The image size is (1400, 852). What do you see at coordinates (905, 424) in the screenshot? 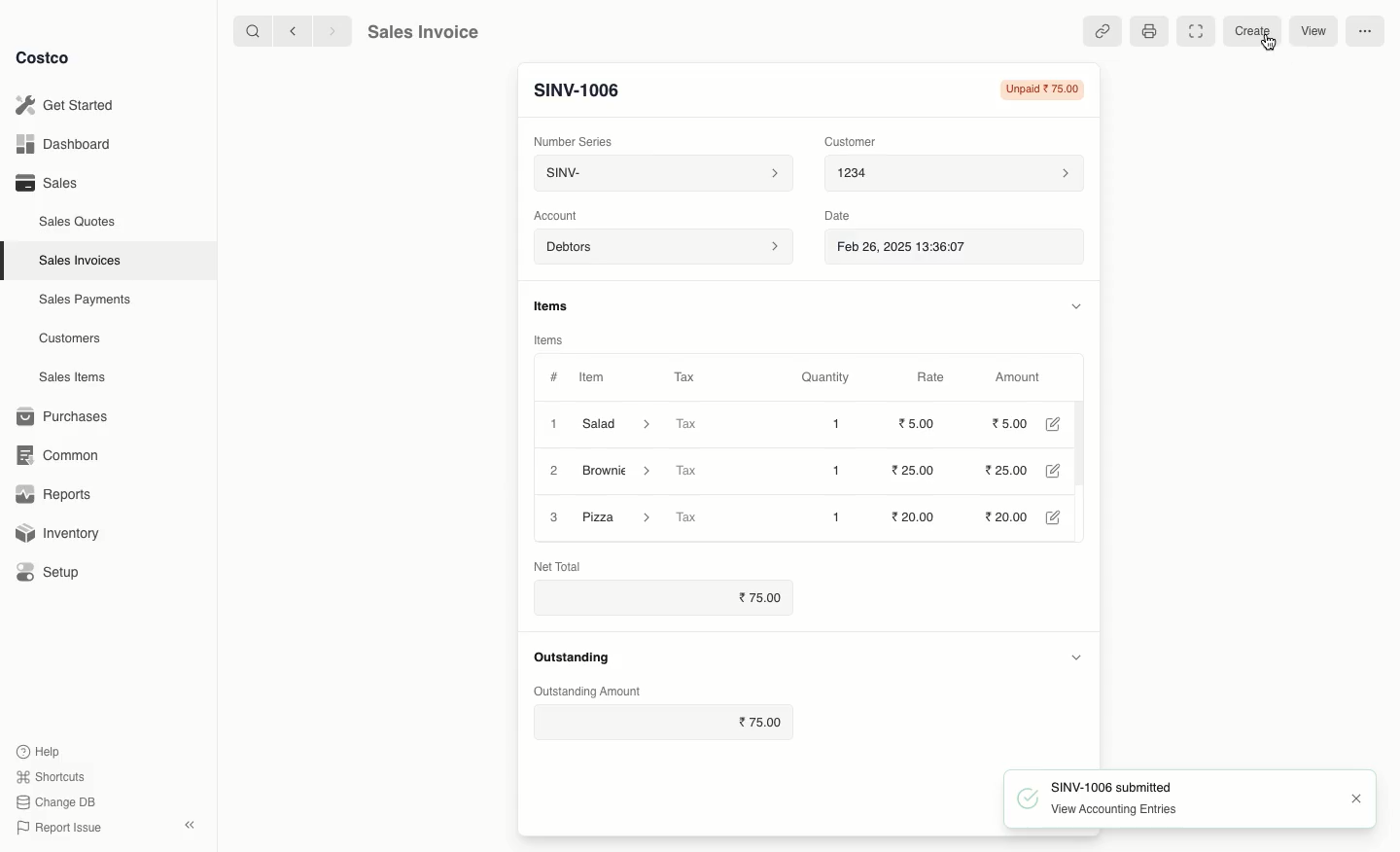
I see `20.00` at bounding box center [905, 424].